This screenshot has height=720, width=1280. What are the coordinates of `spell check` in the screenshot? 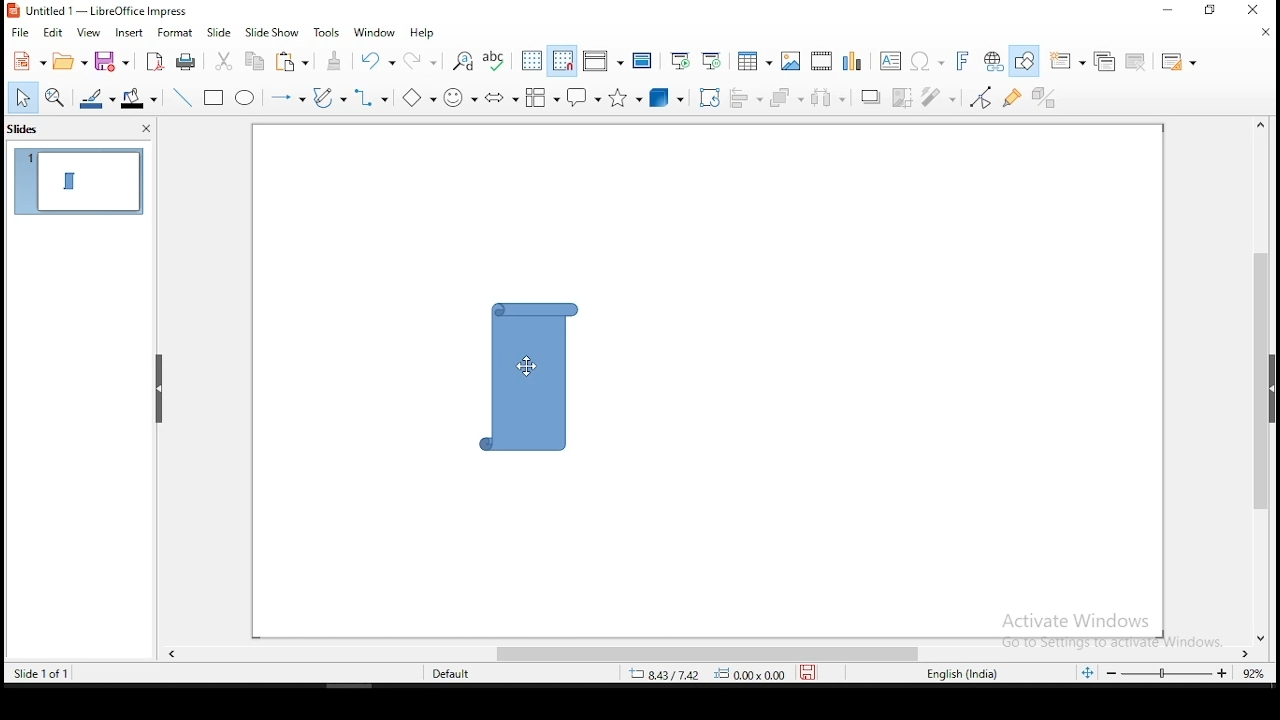 It's located at (497, 60).